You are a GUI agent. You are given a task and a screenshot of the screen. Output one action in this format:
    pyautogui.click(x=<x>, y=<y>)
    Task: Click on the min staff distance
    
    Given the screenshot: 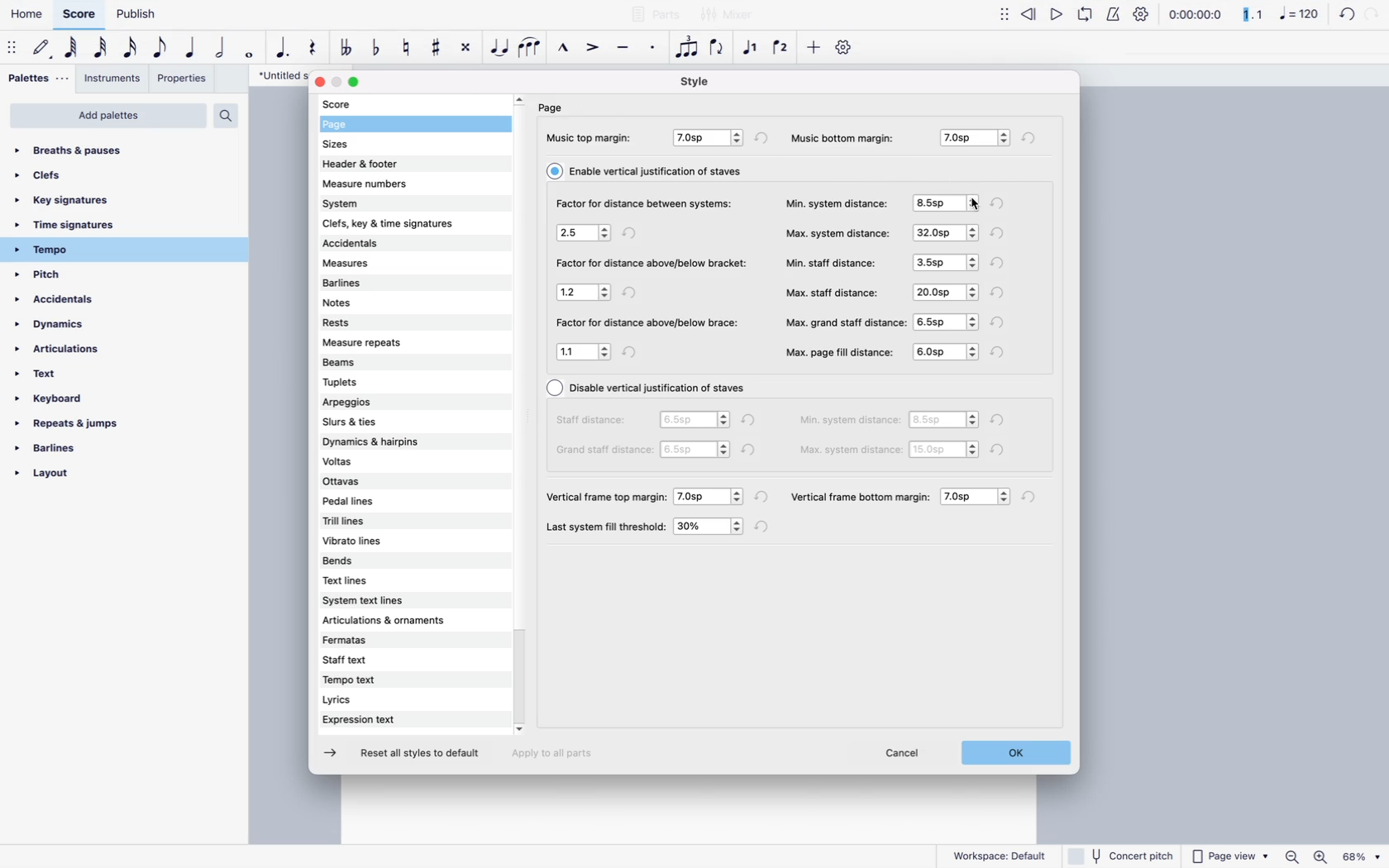 What is the action you would take?
    pyautogui.click(x=833, y=262)
    